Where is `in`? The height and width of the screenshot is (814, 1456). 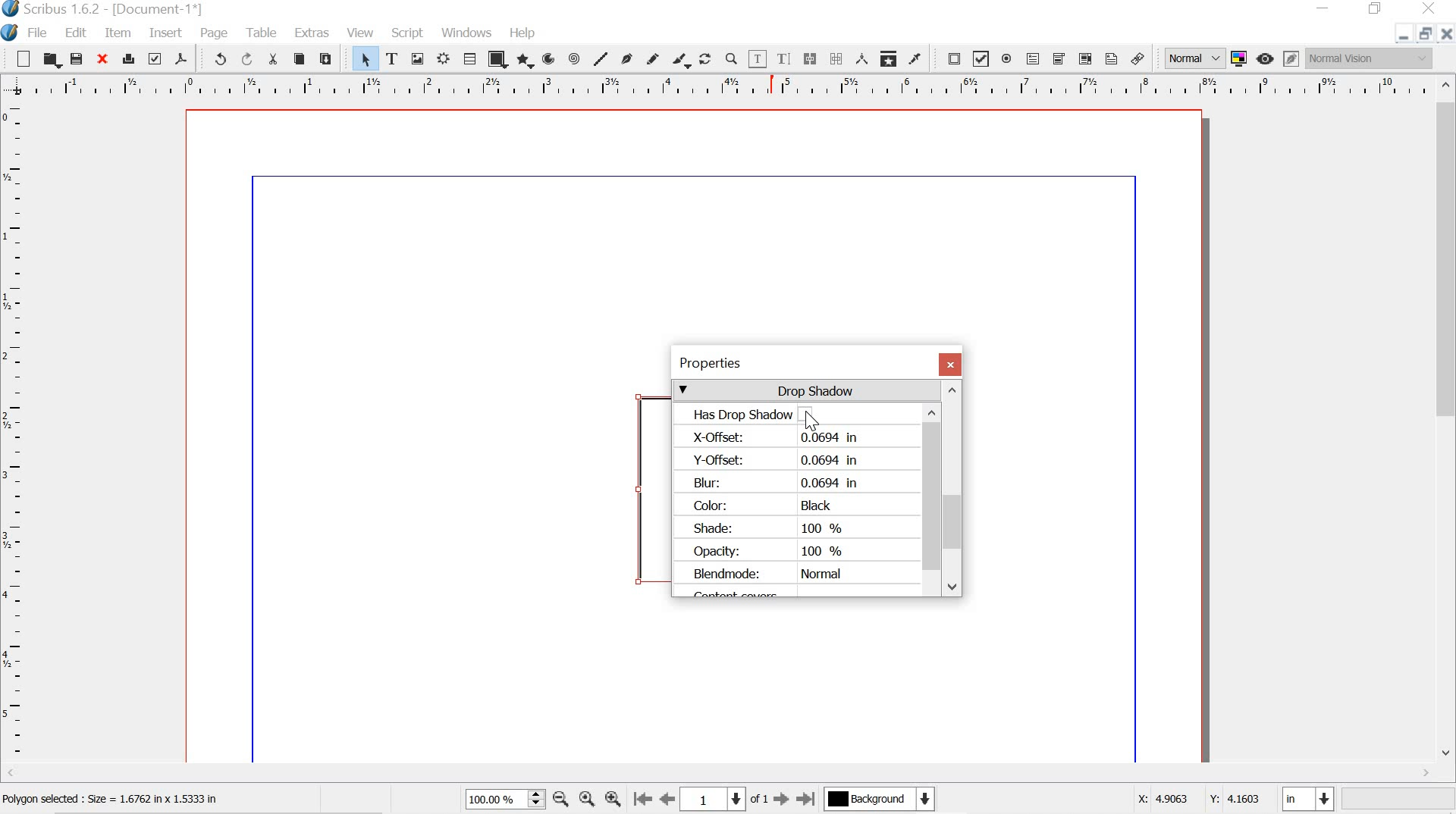 in is located at coordinates (1310, 800).